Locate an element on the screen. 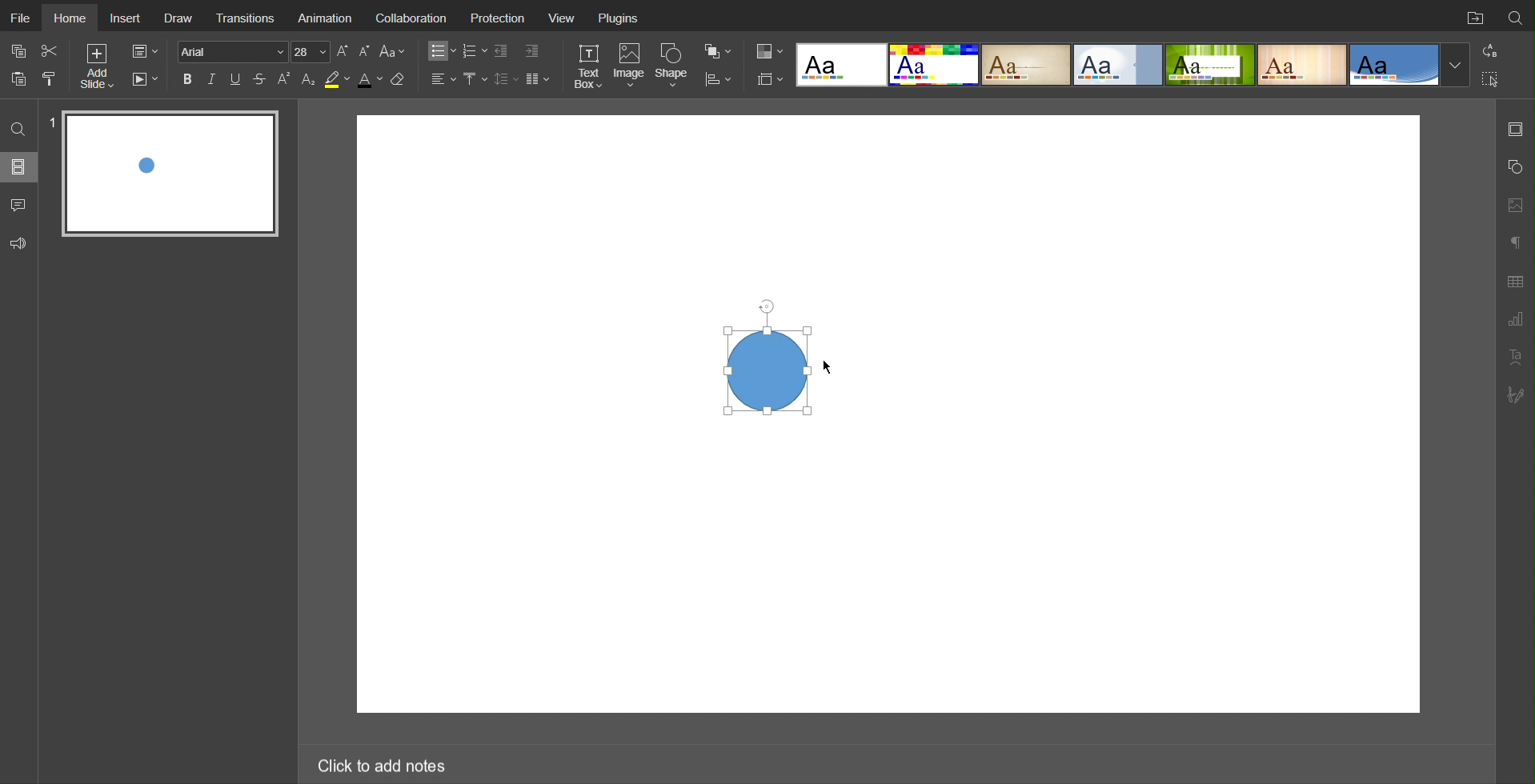  Font Size is located at coordinates (353, 51).